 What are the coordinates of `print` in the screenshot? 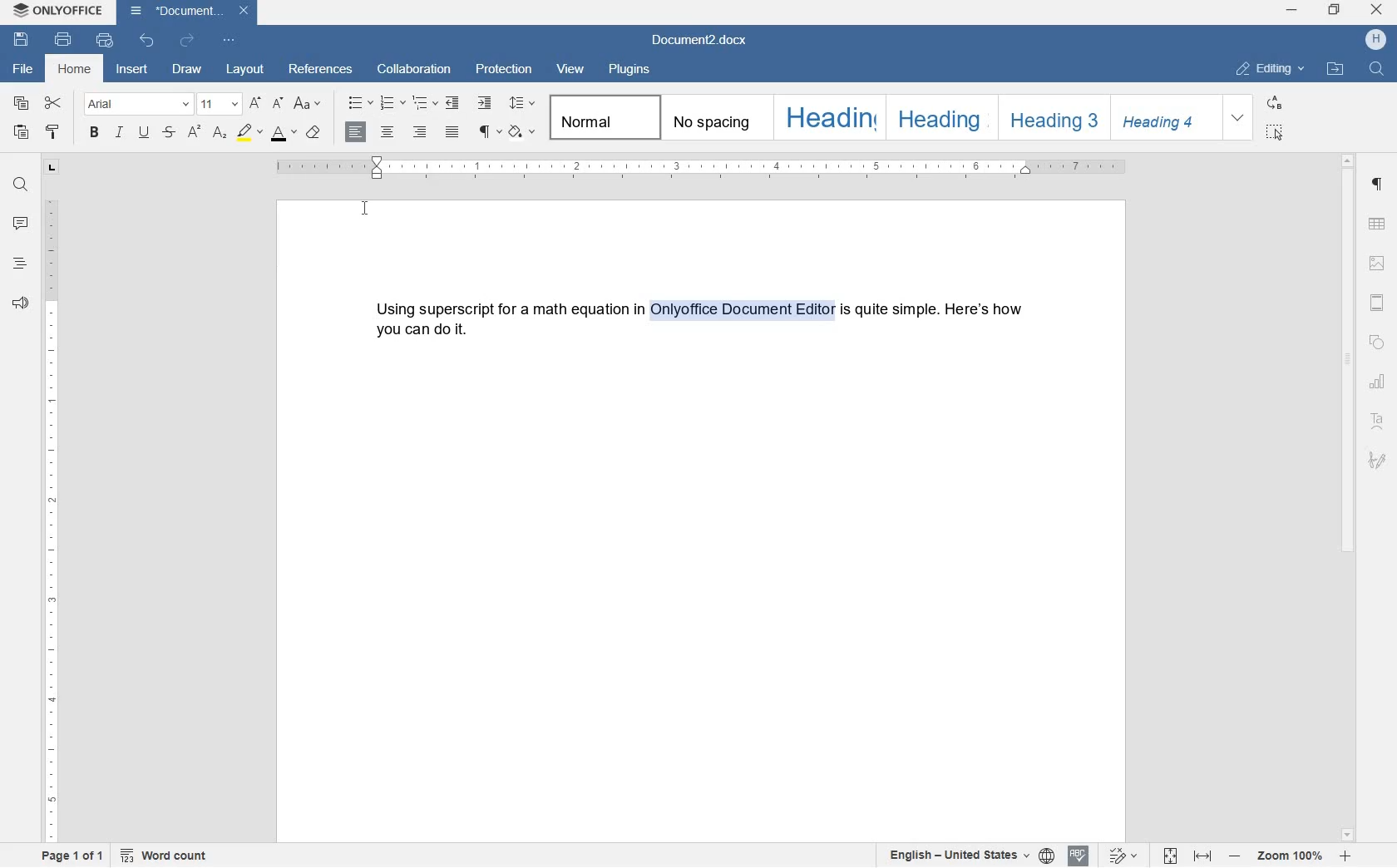 It's located at (63, 40).